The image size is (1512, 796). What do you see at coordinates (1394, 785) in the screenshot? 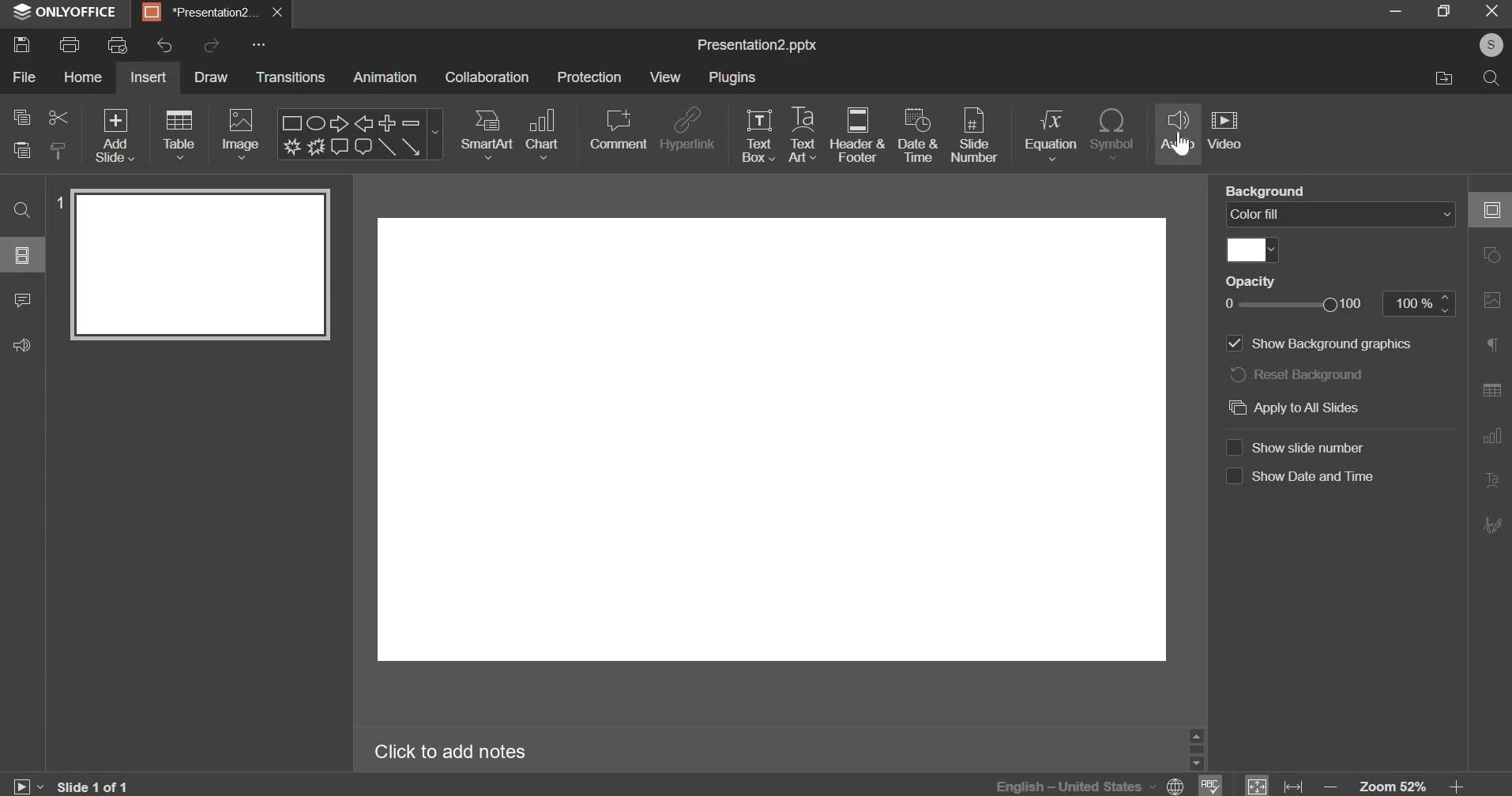
I see `zoom 52%` at bounding box center [1394, 785].